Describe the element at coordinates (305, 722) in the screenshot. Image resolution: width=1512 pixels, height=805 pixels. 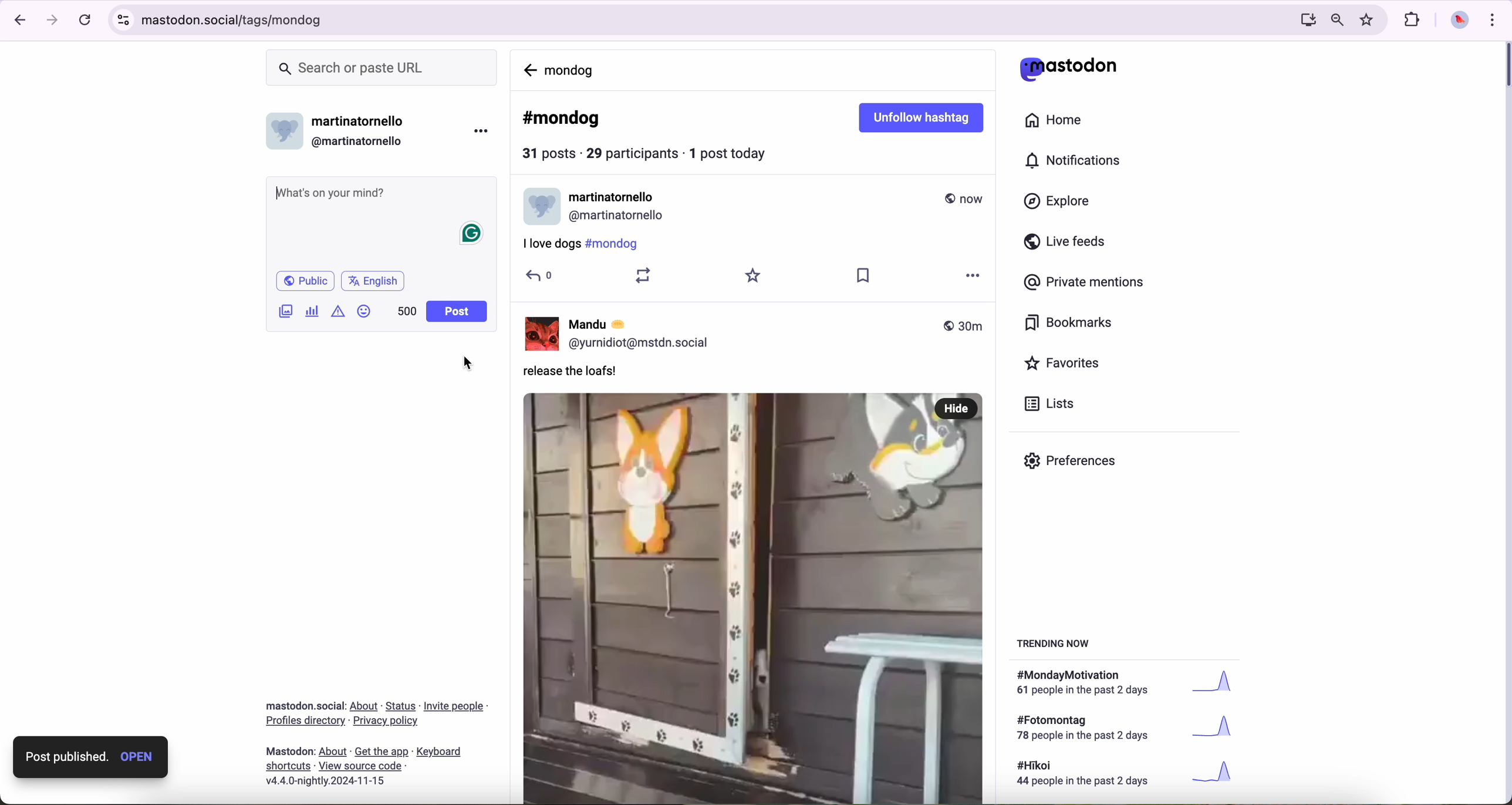
I see `link` at that location.